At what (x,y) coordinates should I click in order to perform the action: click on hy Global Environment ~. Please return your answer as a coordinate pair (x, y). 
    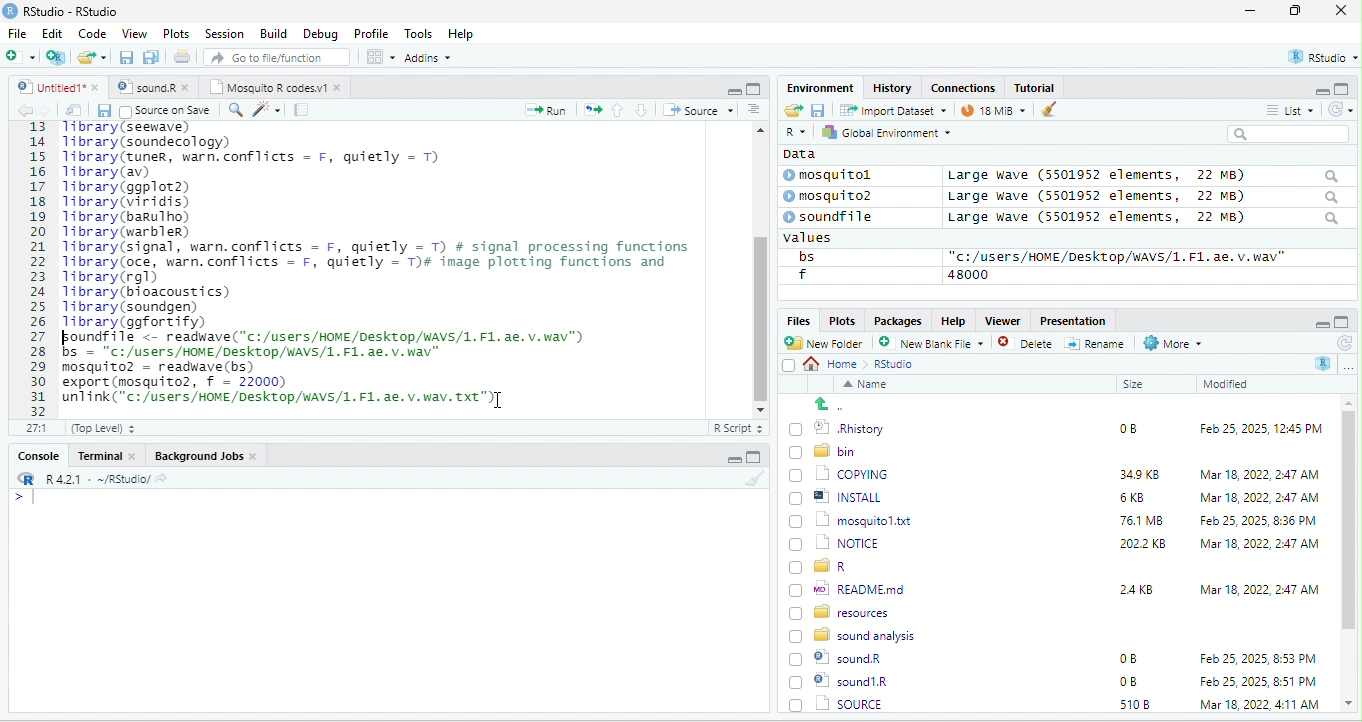
    Looking at the image, I should click on (881, 132).